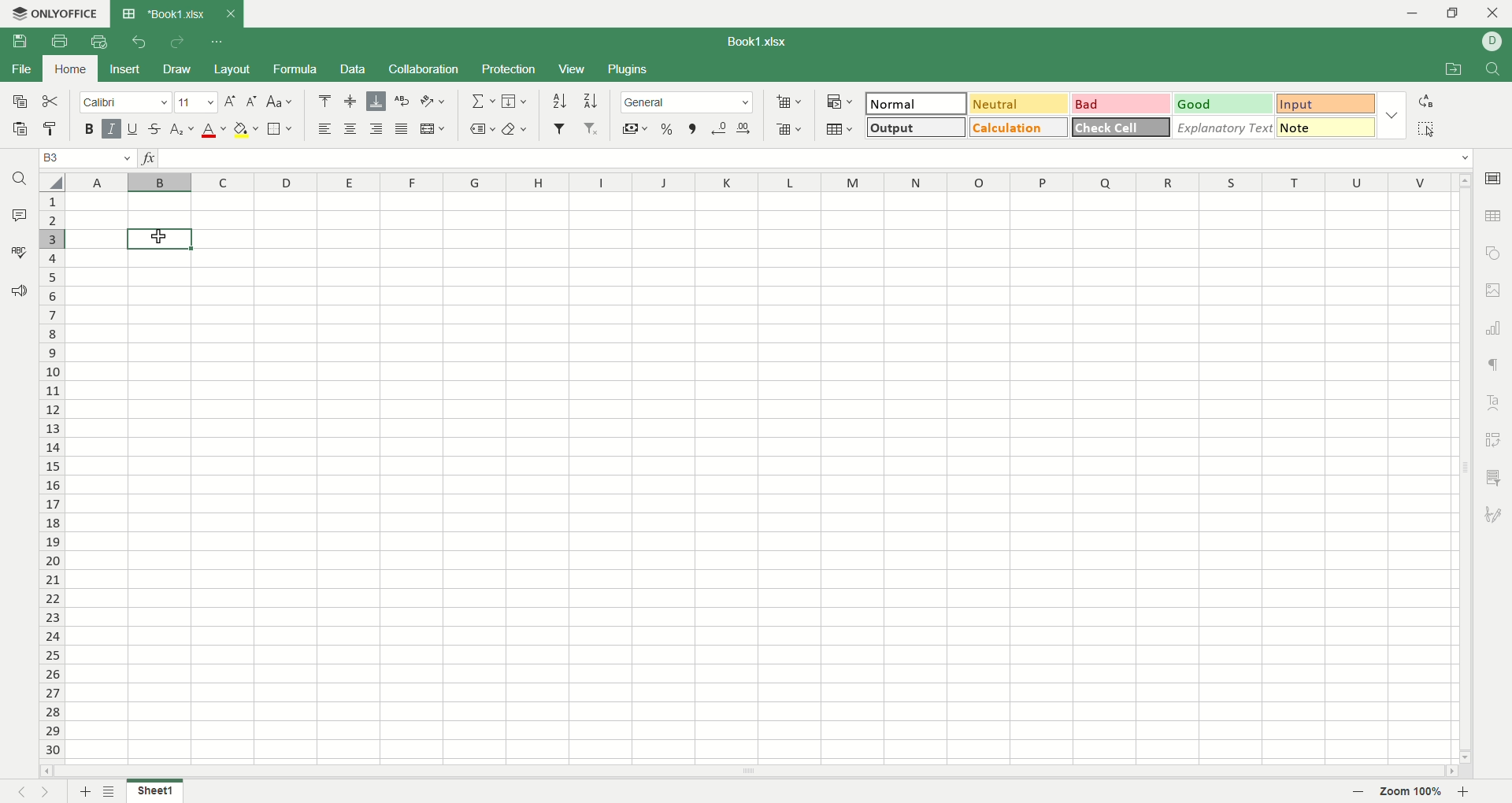 The height and width of the screenshot is (803, 1512). I want to click on table, so click(840, 131).